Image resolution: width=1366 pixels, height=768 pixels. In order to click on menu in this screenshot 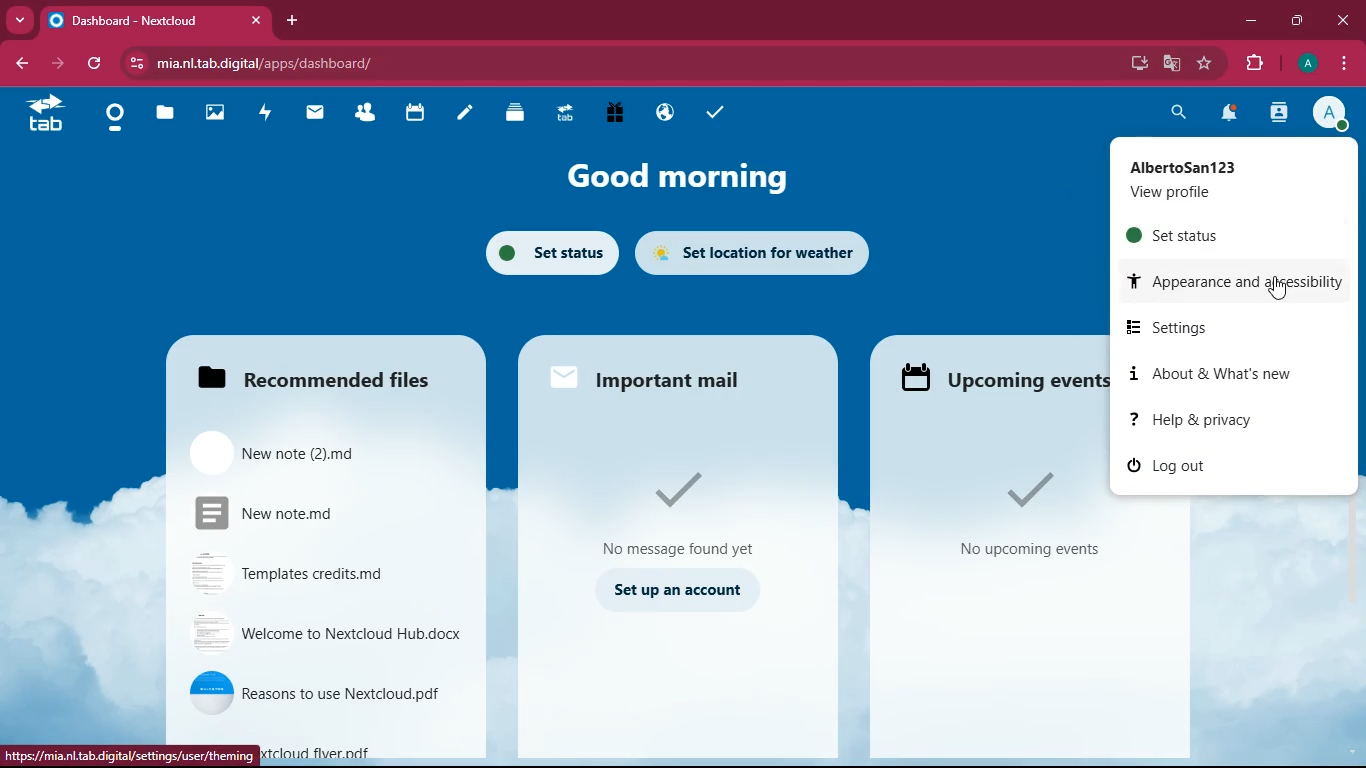, I will do `click(1341, 62)`.